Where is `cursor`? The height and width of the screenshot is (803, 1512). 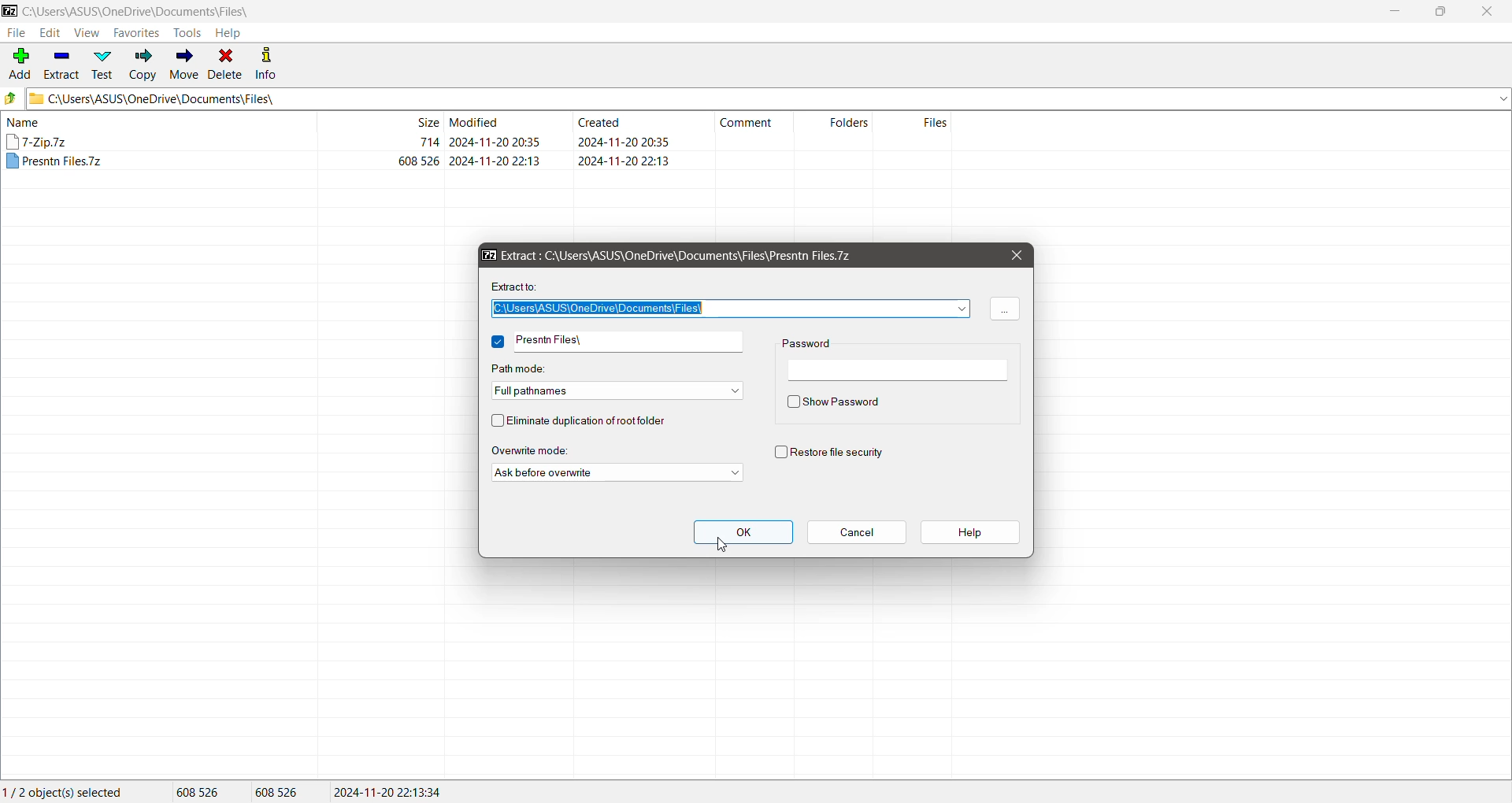
cursor is located at coordinates (721, 544).